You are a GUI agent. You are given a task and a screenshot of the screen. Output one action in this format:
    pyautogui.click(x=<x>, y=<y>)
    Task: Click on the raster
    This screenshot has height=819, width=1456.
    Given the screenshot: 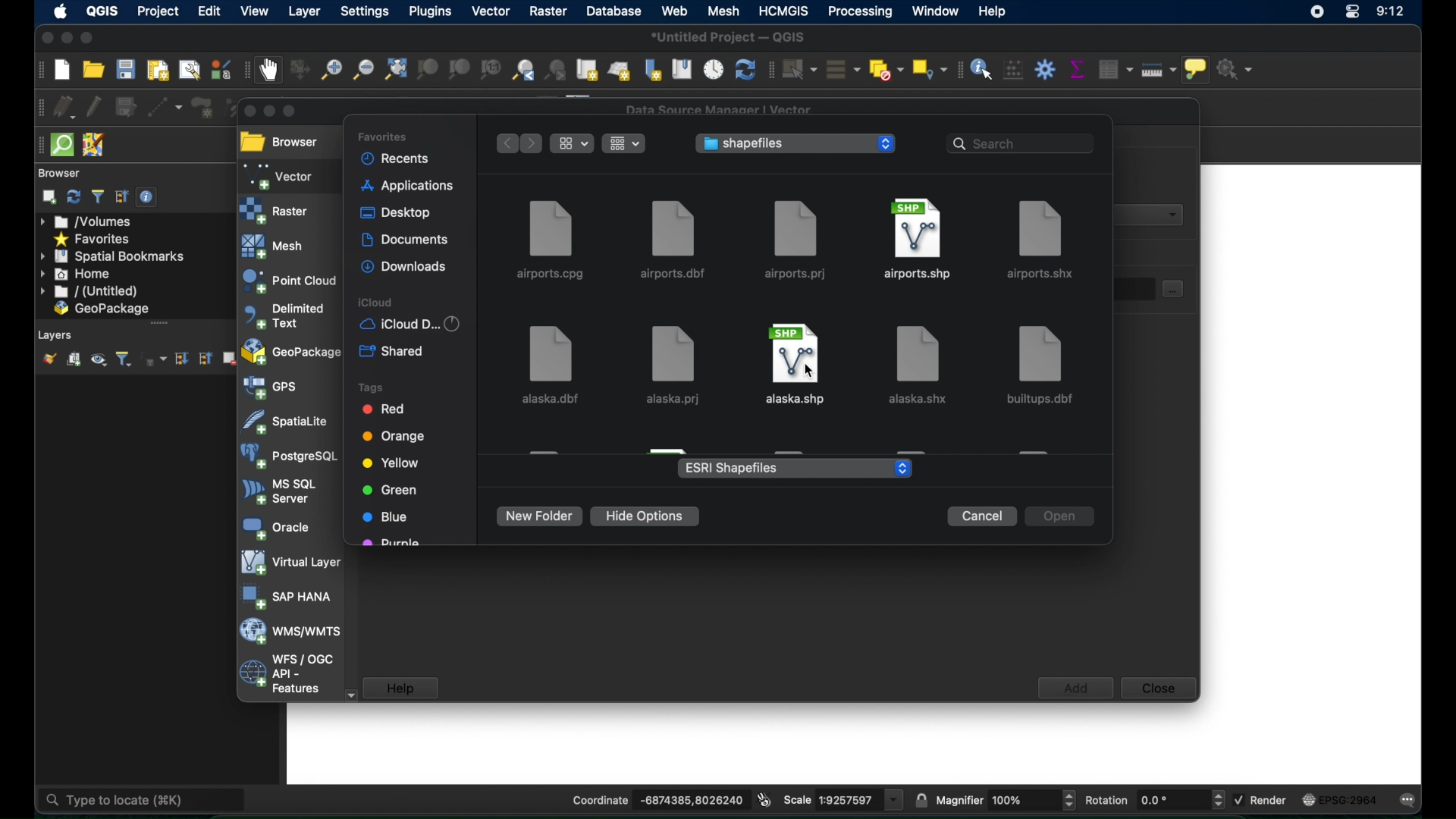 What is the action you would take?
    pyautogui.click(x=275, y=210)
    